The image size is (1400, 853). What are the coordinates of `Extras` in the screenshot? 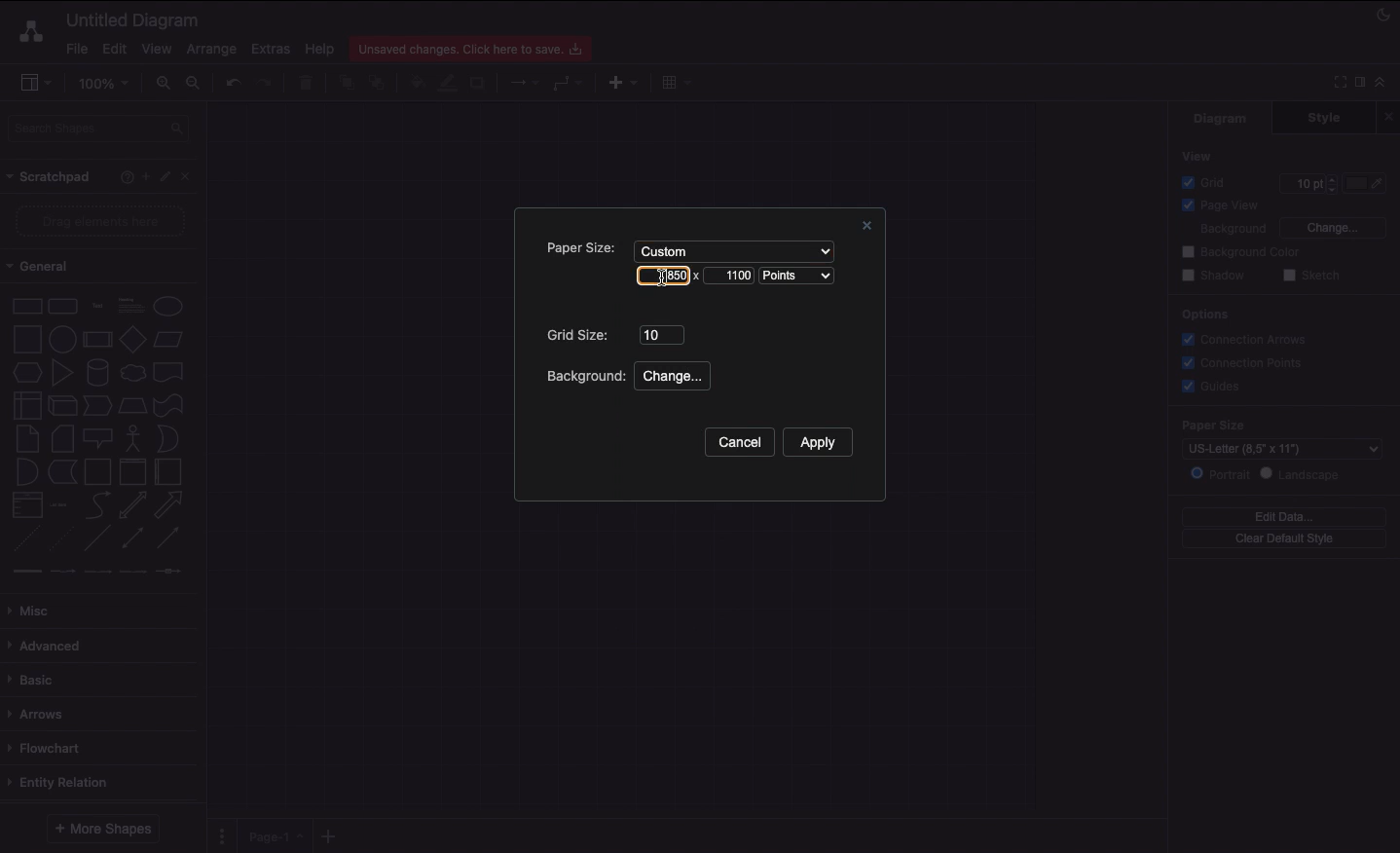 It's located at (271, 48).